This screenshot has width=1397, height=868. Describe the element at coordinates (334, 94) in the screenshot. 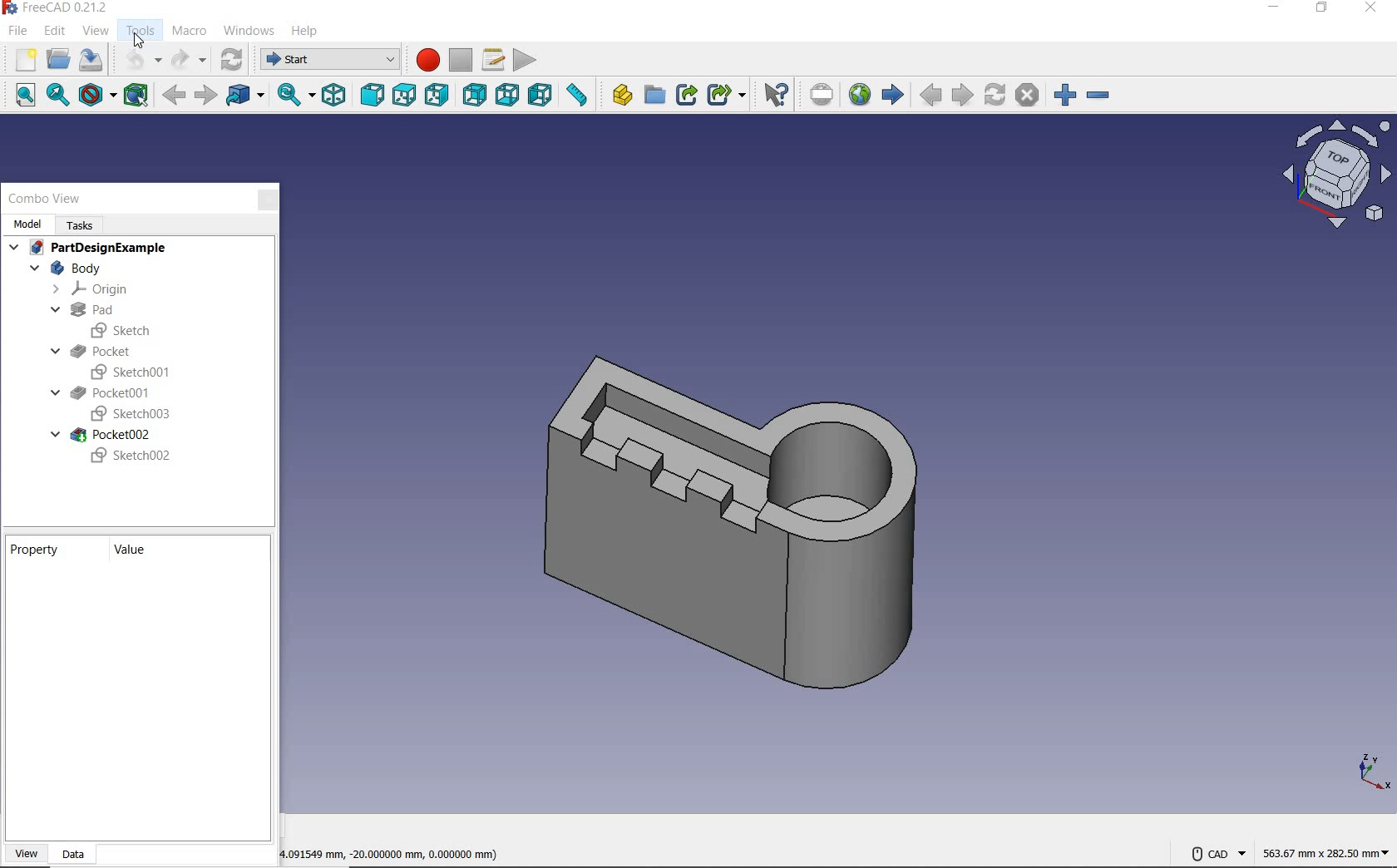

I see `Isometric` at that location.